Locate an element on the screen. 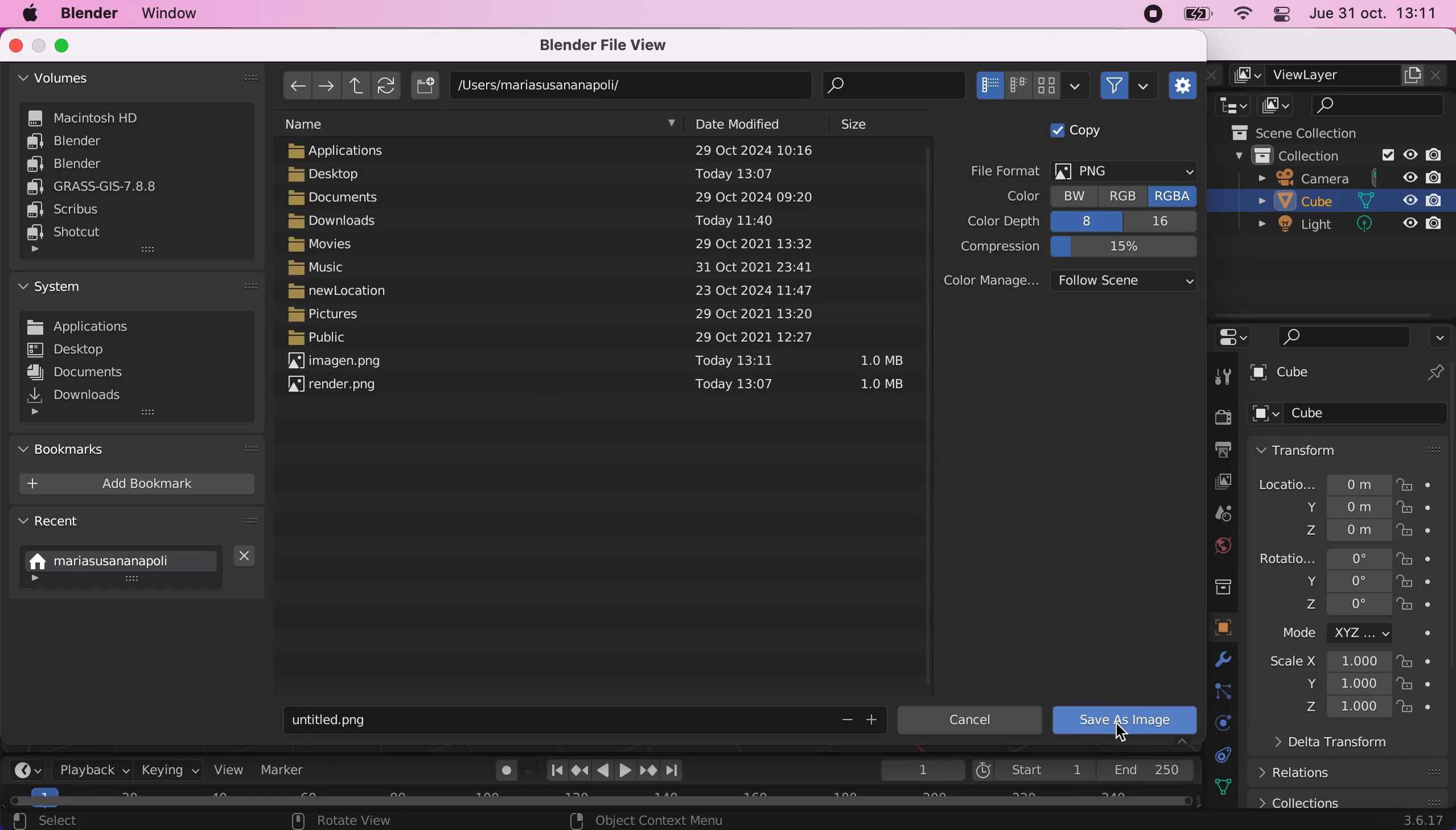  auto keying is located at coordinates (505, 773).